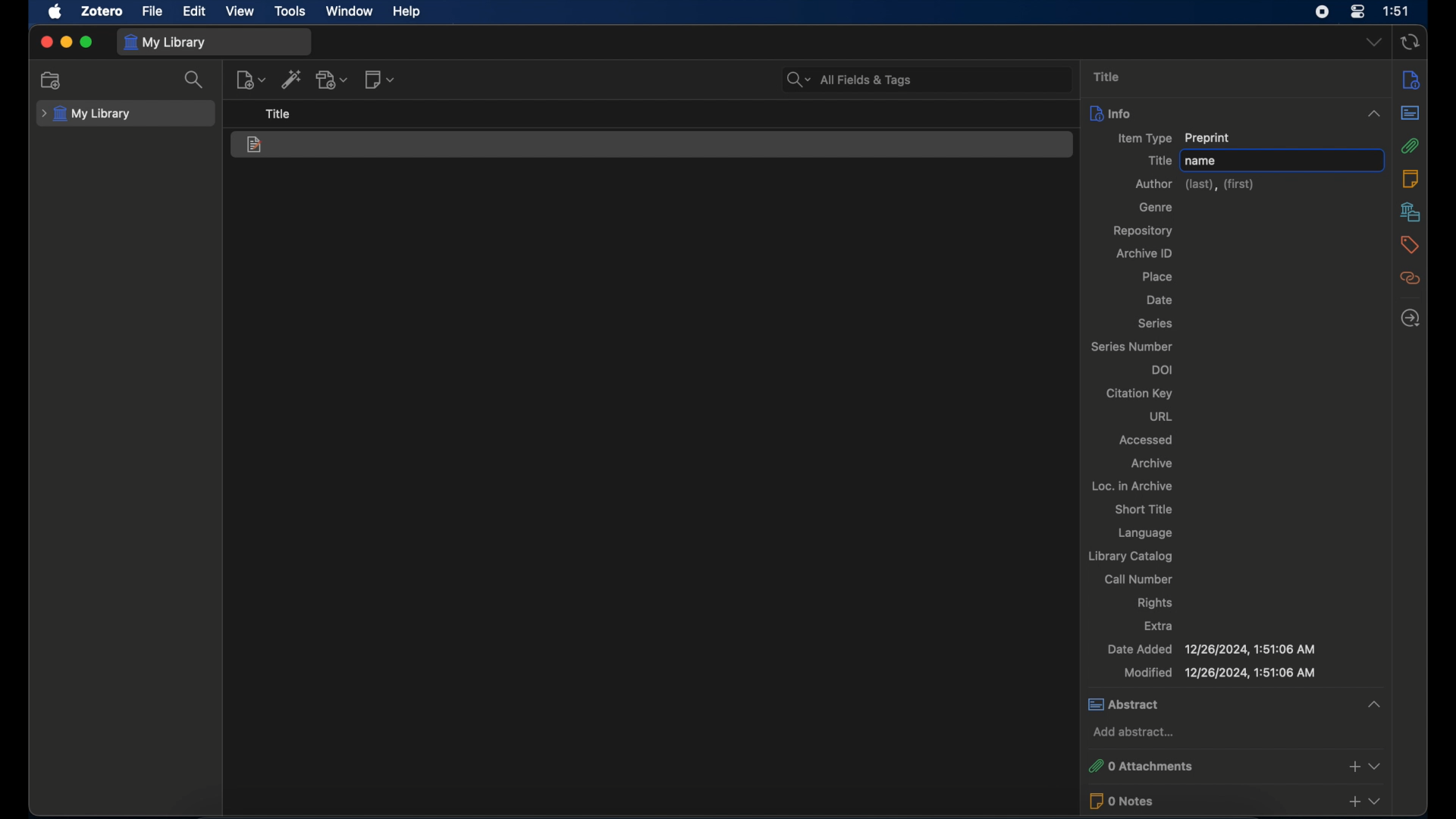 The image size is (1456, 819). Describe the element at coordinates (65, 42) in the screenshot. I see `minimize` at that location.